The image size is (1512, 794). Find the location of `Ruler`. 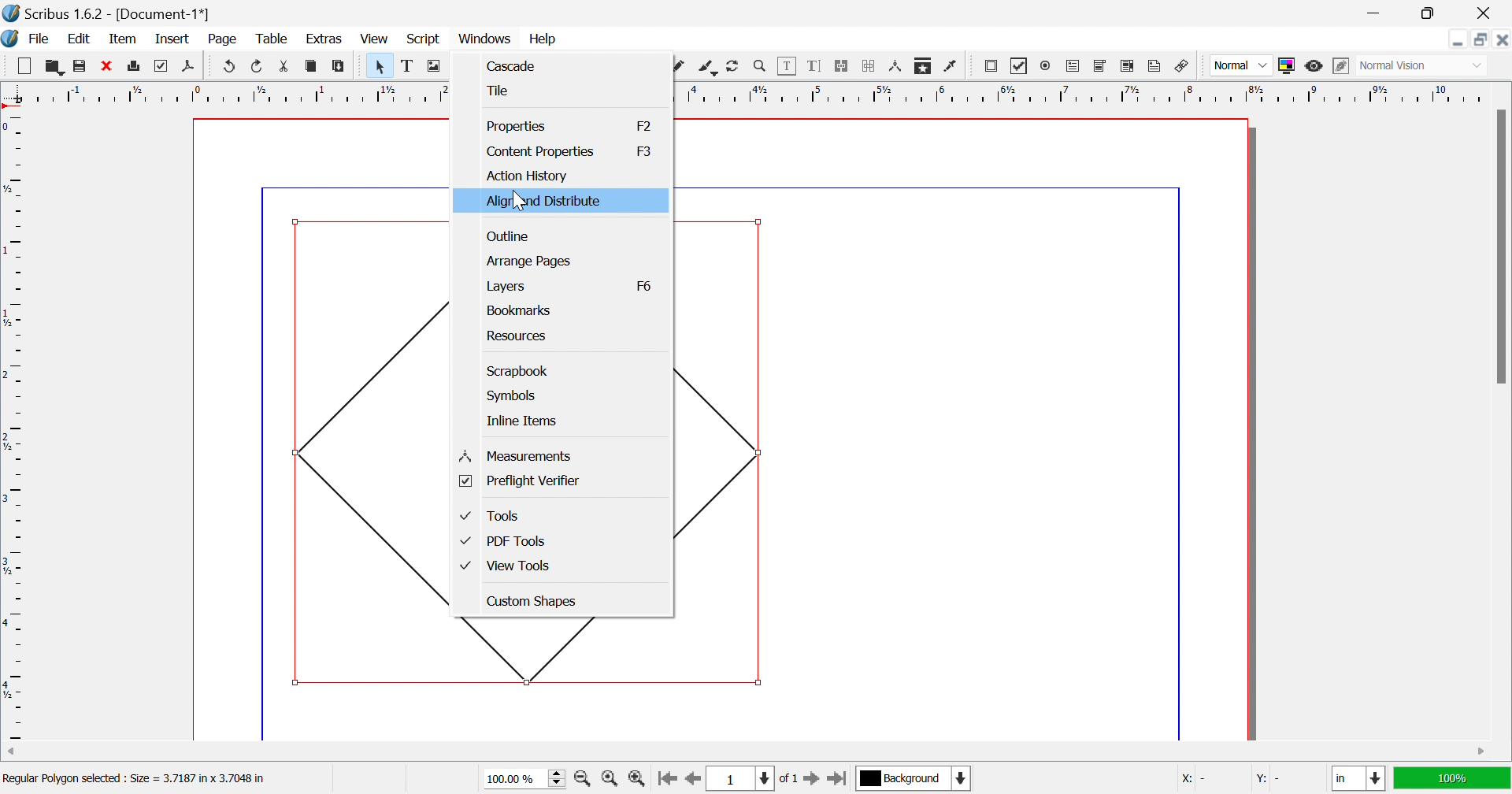

Ruler is located at coordinates (14, 425).